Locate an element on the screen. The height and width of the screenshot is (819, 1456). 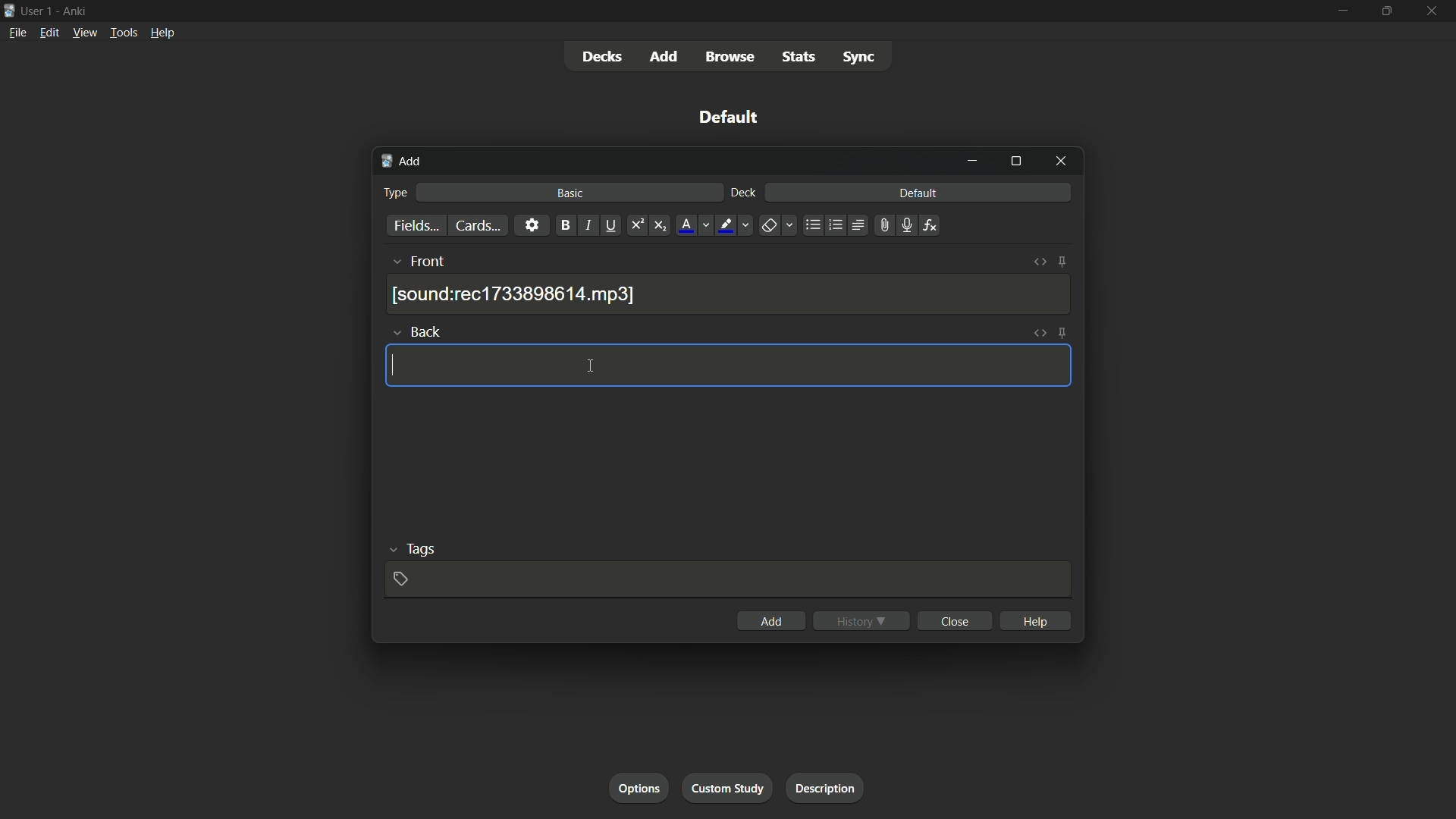
default is located at coordinates (918, 193).